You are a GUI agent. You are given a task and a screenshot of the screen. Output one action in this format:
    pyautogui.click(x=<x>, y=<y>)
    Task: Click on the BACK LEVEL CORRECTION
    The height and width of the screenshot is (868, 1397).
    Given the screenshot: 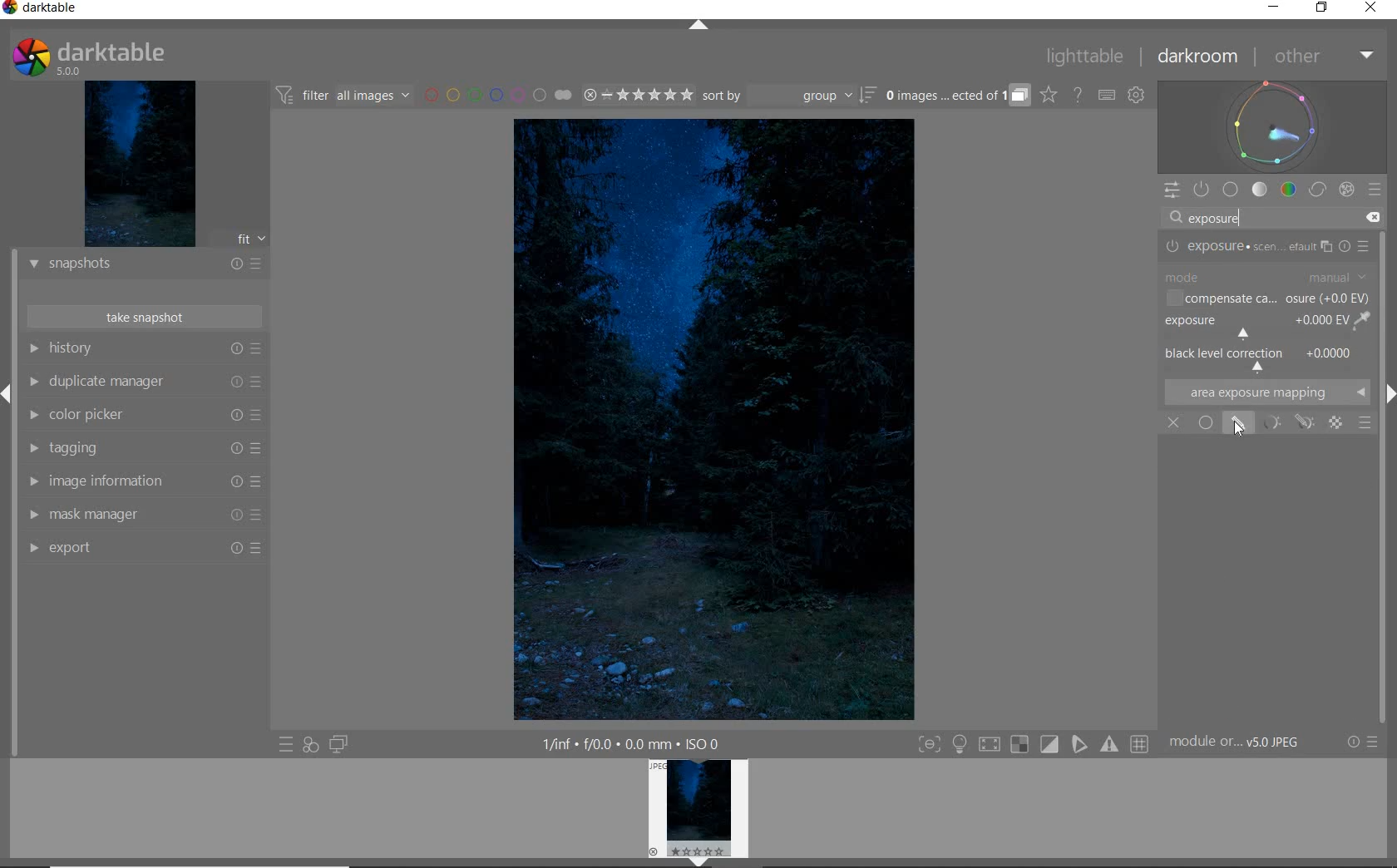 What is the action you would take?
    pyautogui.click(x=1261, y=358)
    